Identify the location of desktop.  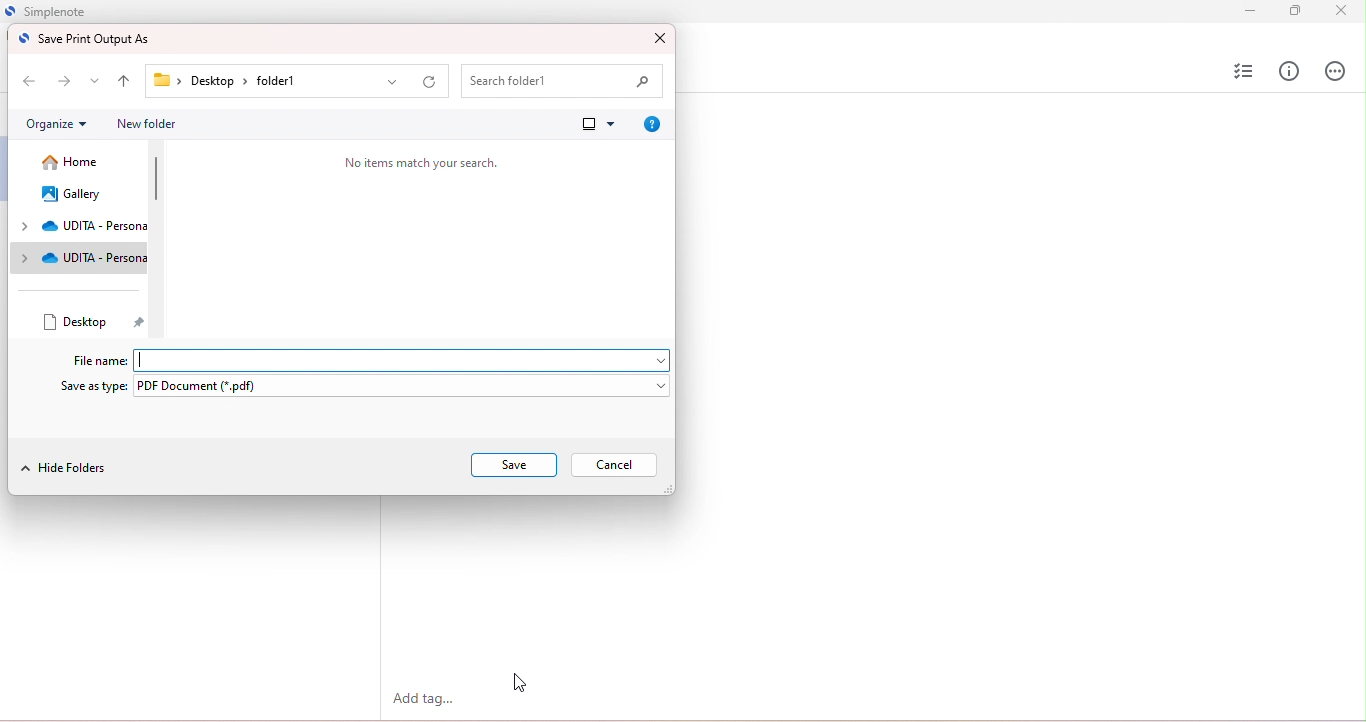
(94, 321).